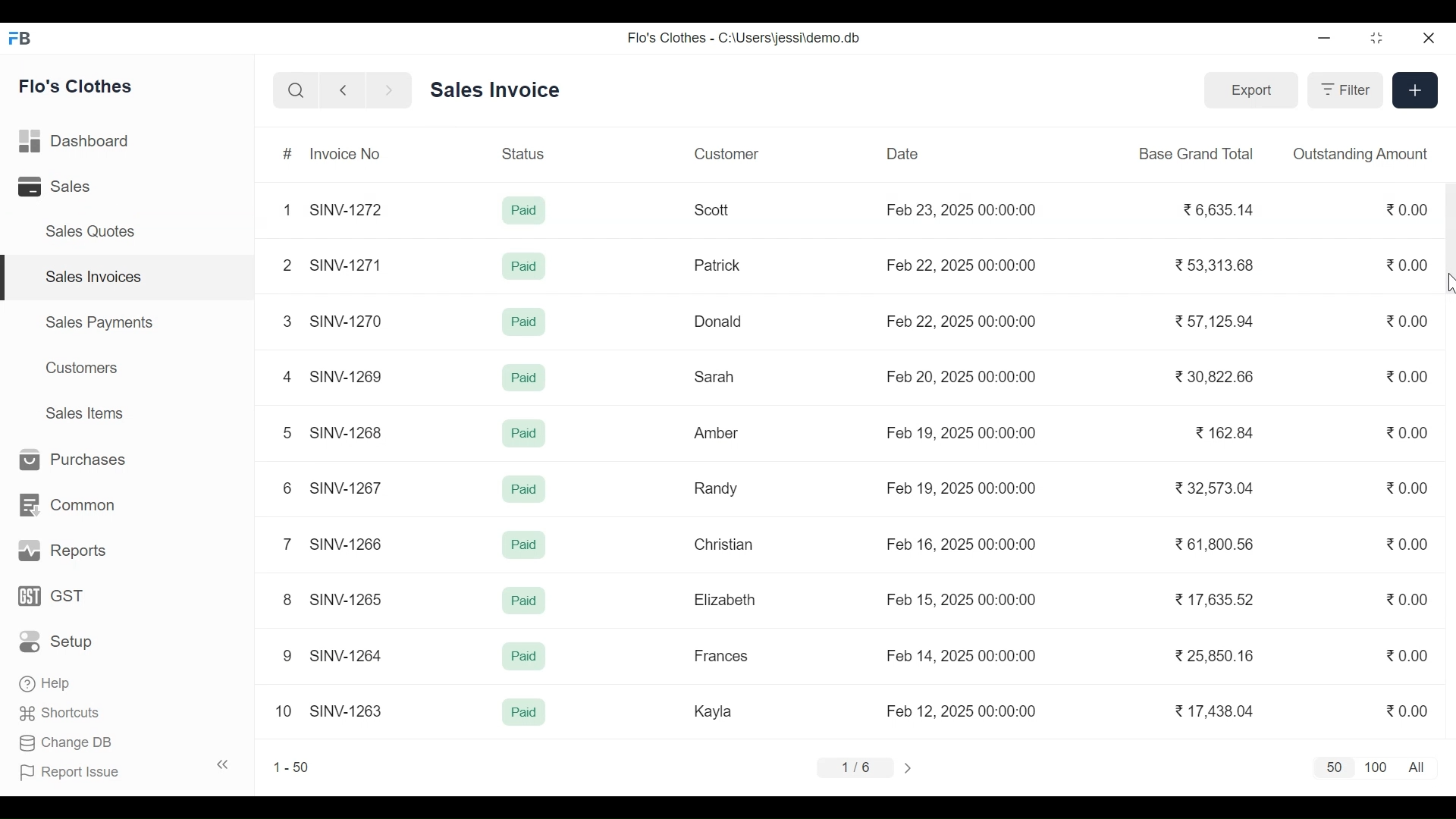  What do you see at coordinates (25, 39) in the screenshot?
I see `Frappe Book Desktop Icon` at bounding box center [25, 39].